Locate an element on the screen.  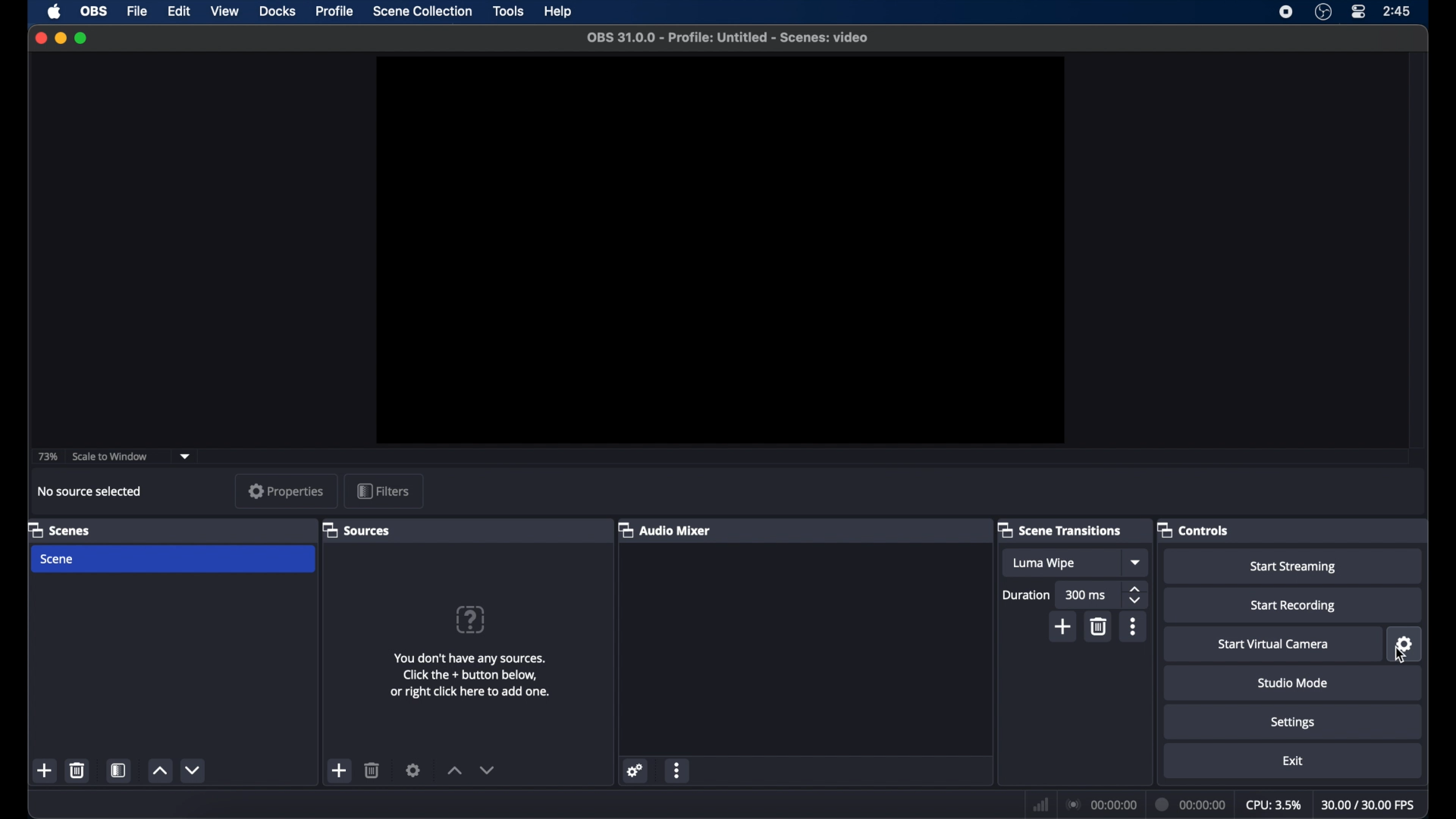
start virtual camera is located at coordinates (1274, 645).